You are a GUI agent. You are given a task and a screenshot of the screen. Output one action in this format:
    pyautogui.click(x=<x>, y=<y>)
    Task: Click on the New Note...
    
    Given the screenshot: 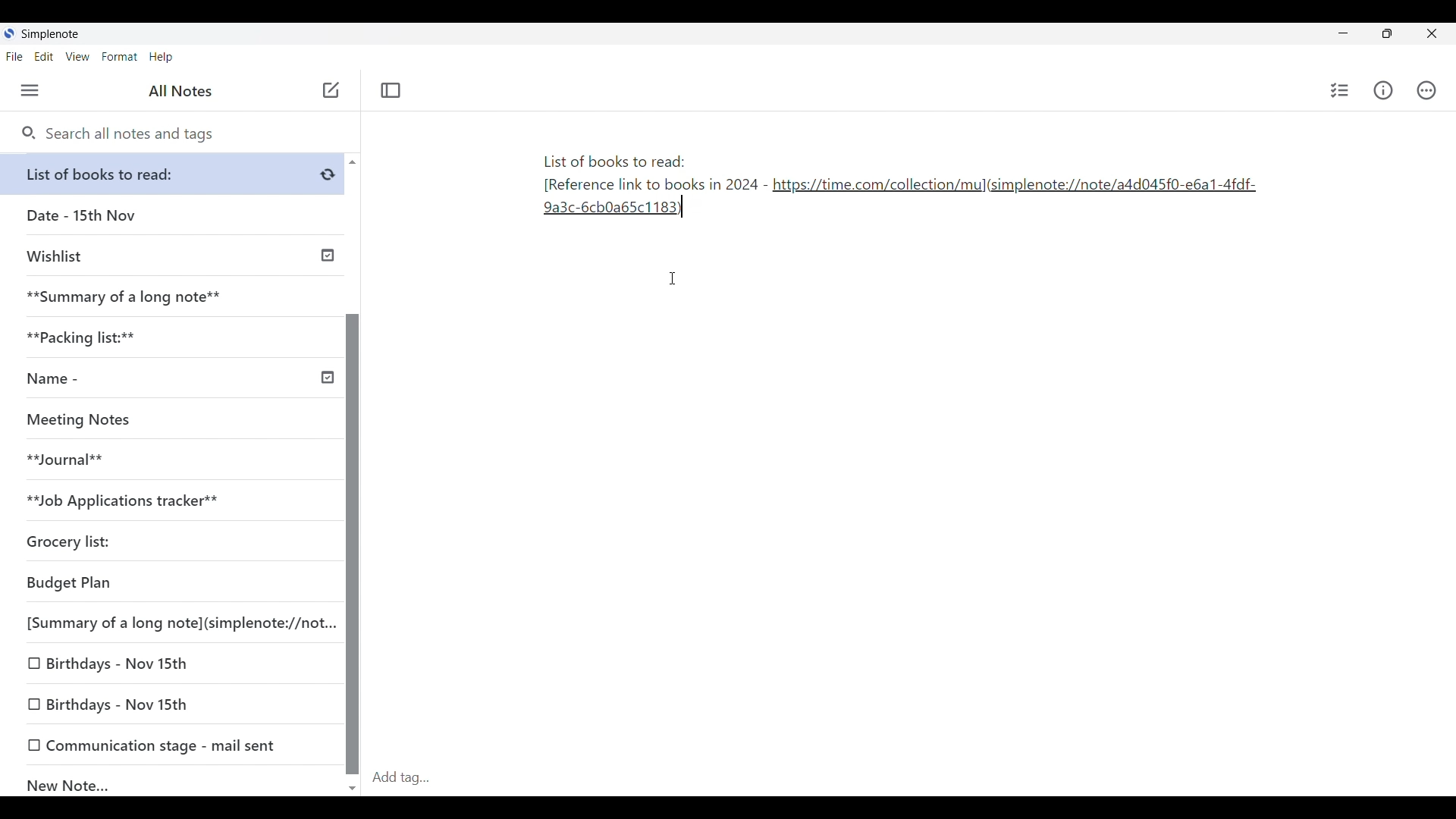 What is the action you would take?
    pyautogui.click(x=174, y=782)
    